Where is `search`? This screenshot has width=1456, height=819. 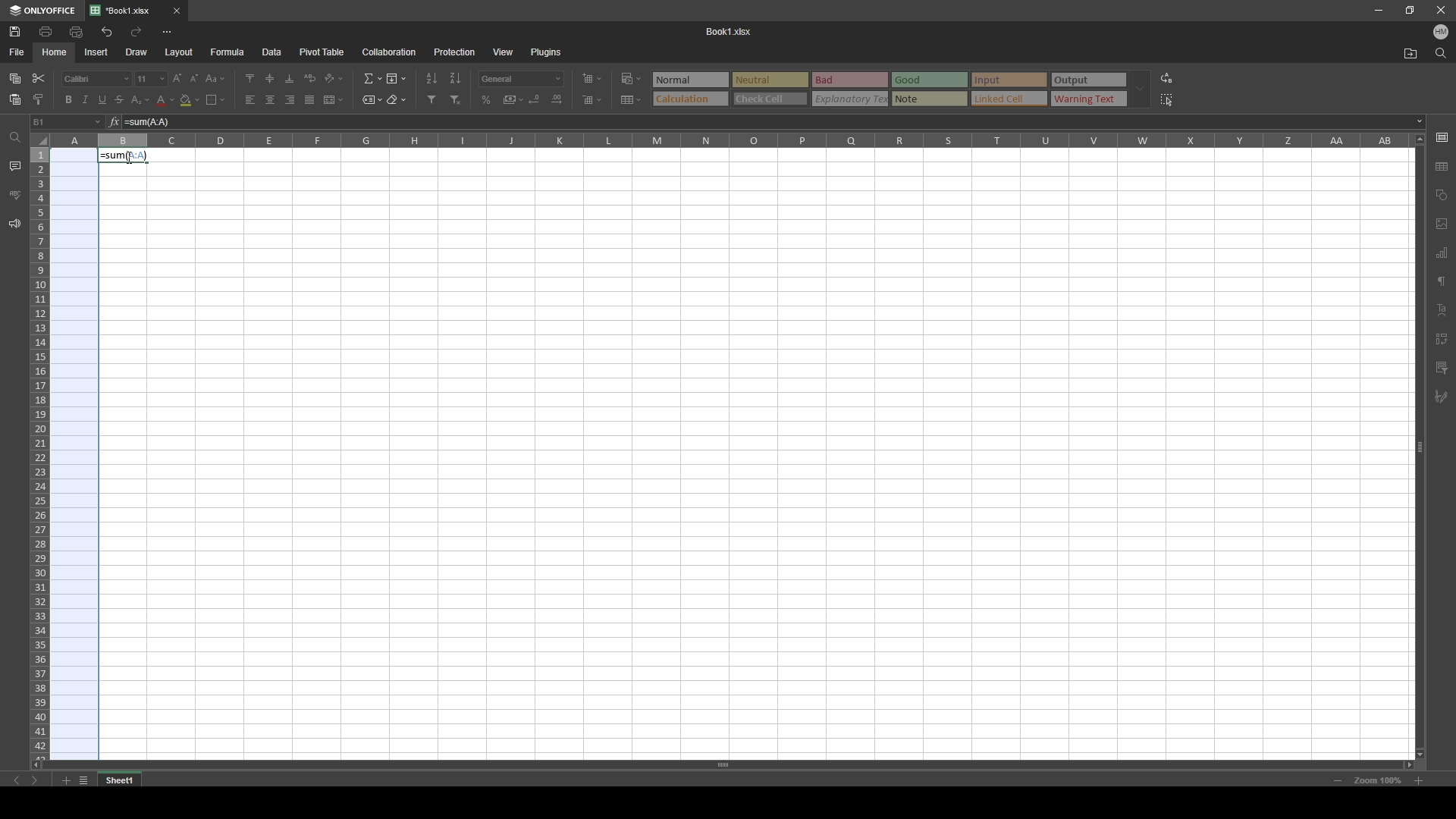 search is located at coordinates (13, 139).